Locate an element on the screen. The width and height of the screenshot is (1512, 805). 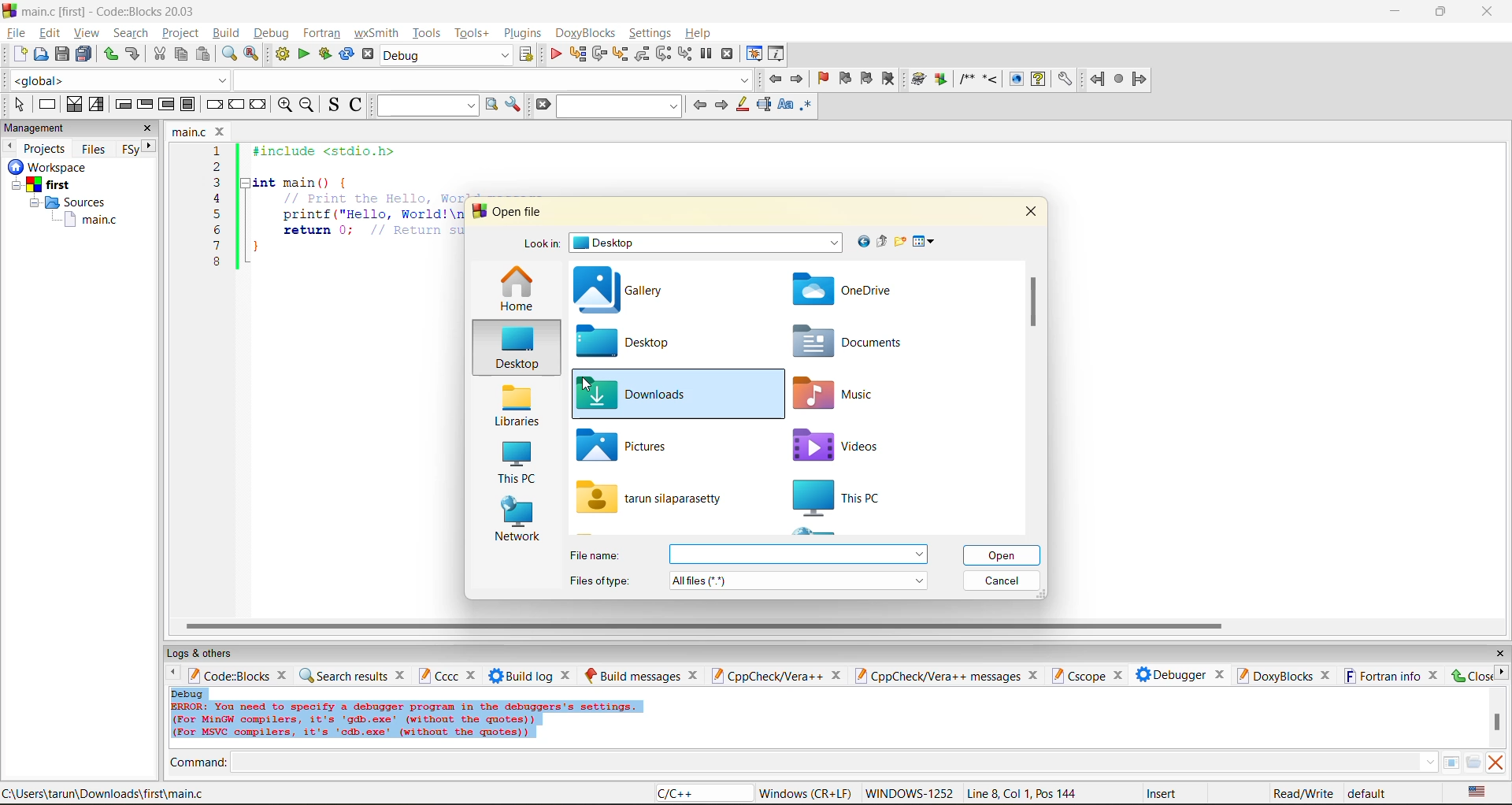
Windows (CR+LF) is located at coordinates (807, 793).